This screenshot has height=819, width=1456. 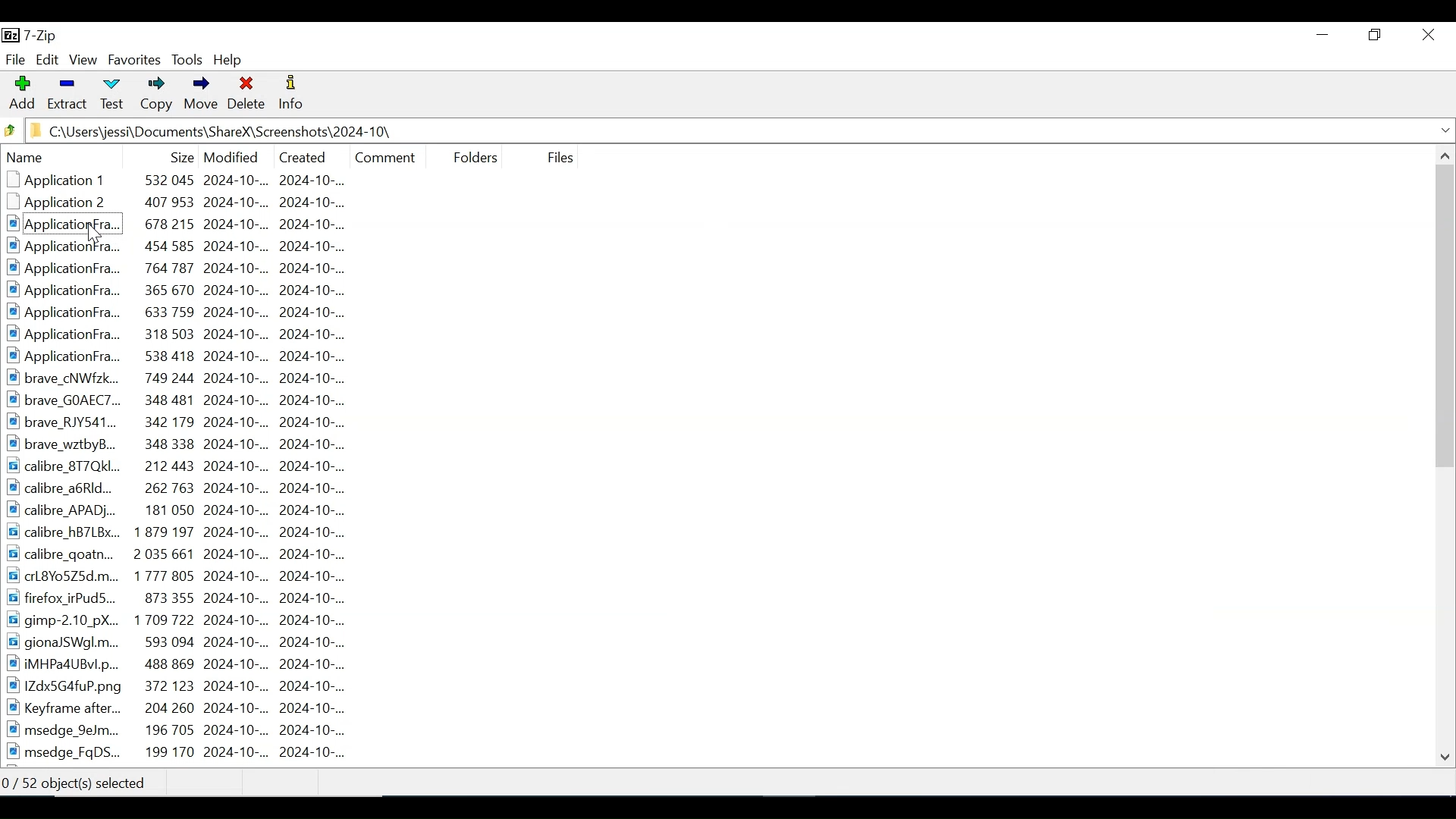 What do you see at coordinates (230, 59) in the screenshot?
I see `Help` at bounding box center [230, 59].